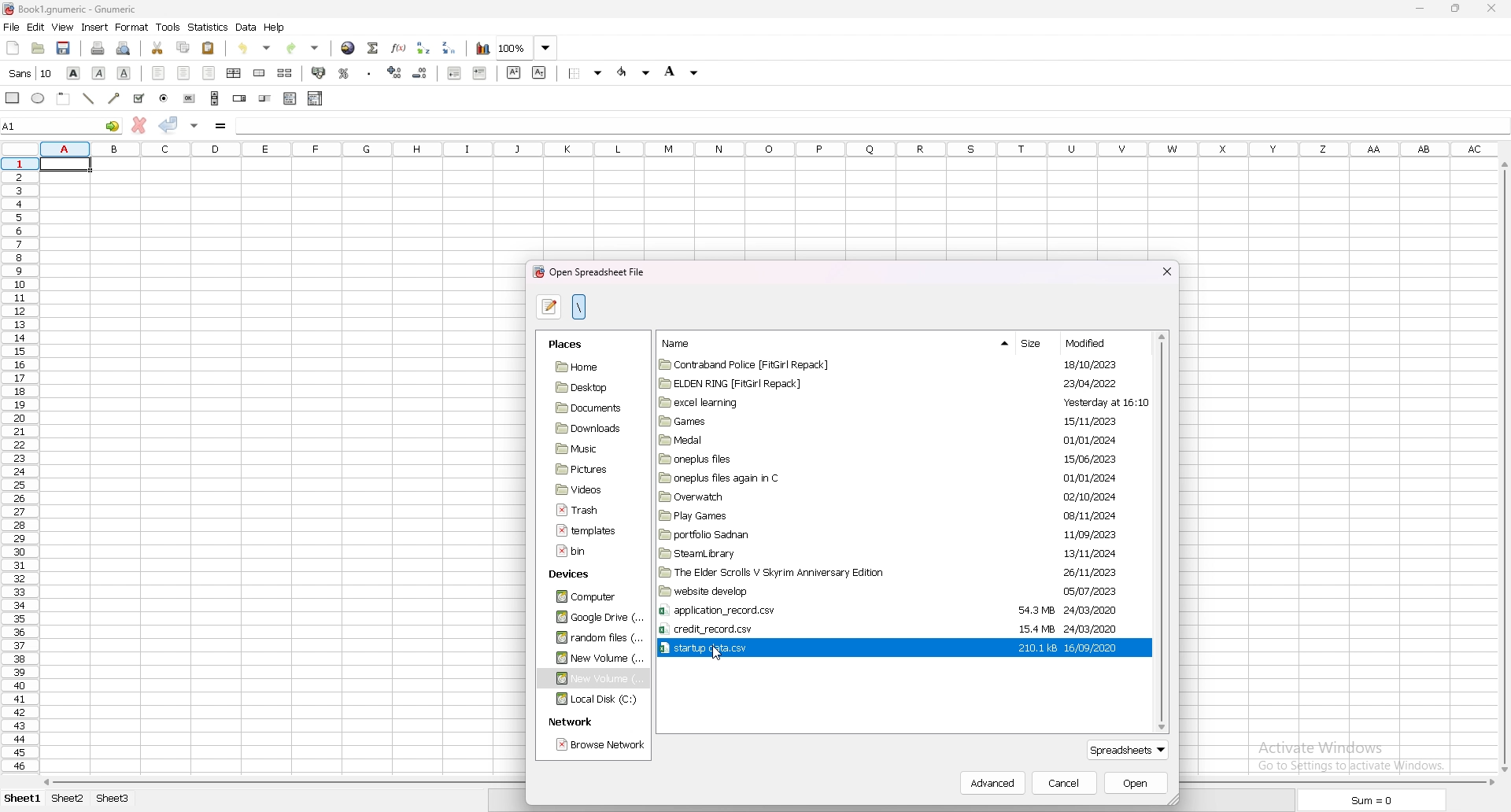 This screenshot has height=812, width=1511. What do you see at coordinates (113, 98) in the screenshot?
I see `arrowed line` at bounding box center [113, 98].